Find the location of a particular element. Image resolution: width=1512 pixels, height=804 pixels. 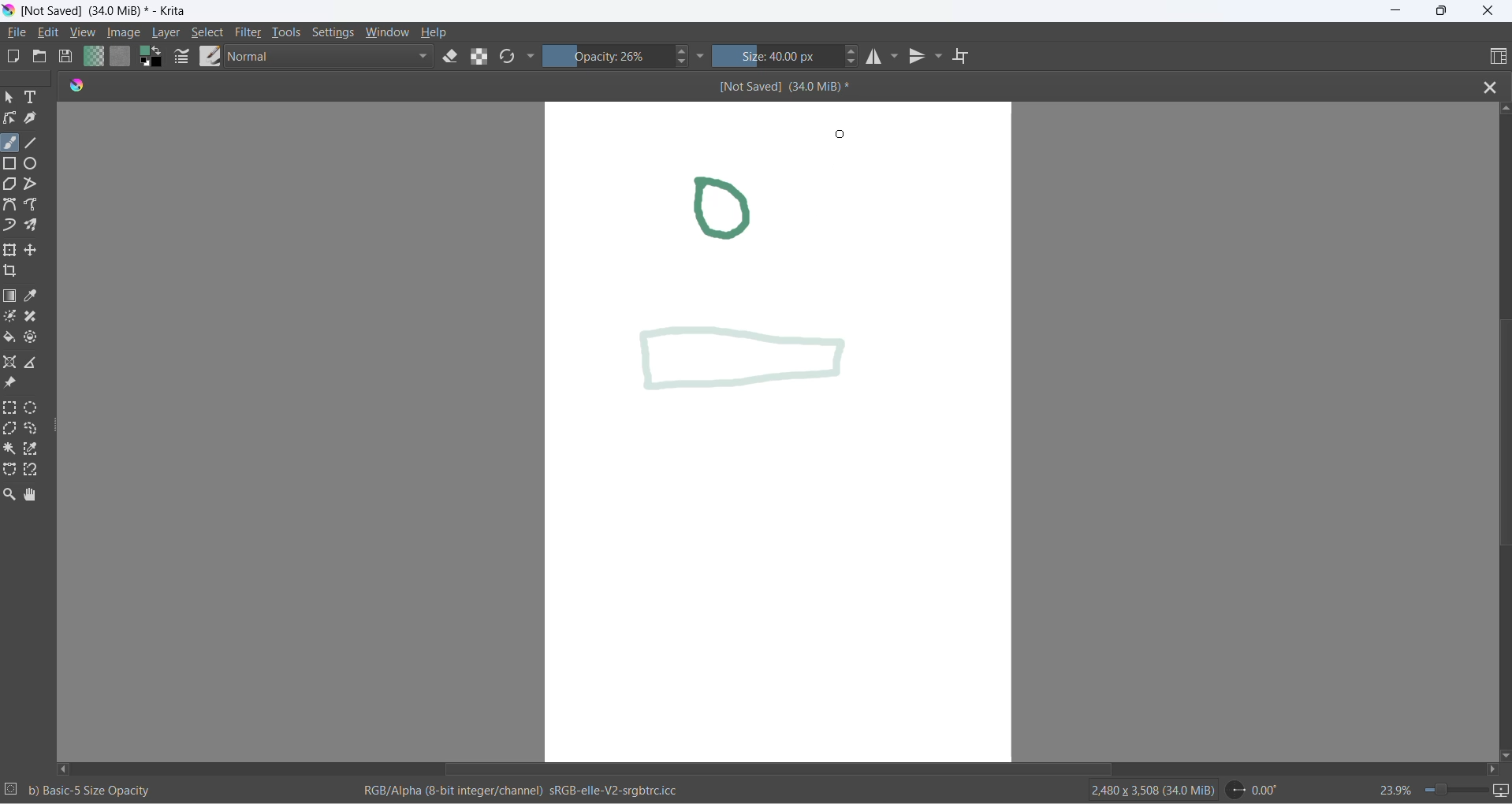

calligraphy is located at coordinates (37, 120).